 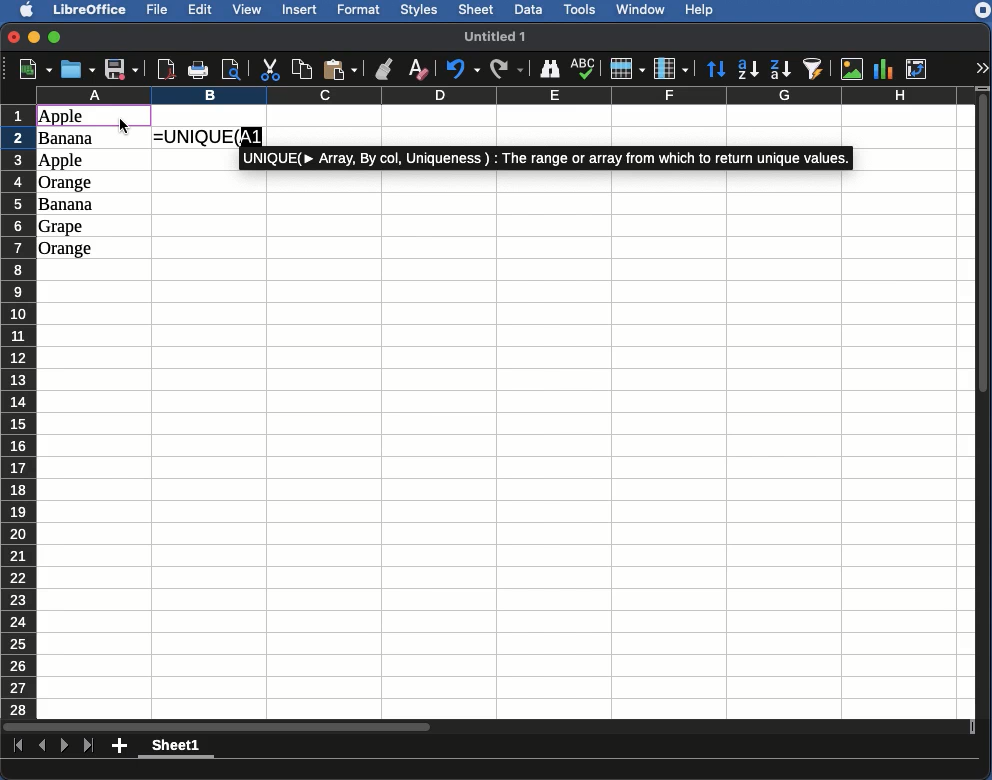 What do you see at coordinates (781, 68) in the screenshot?
I see `Descending` at bounding box center [781, 68].